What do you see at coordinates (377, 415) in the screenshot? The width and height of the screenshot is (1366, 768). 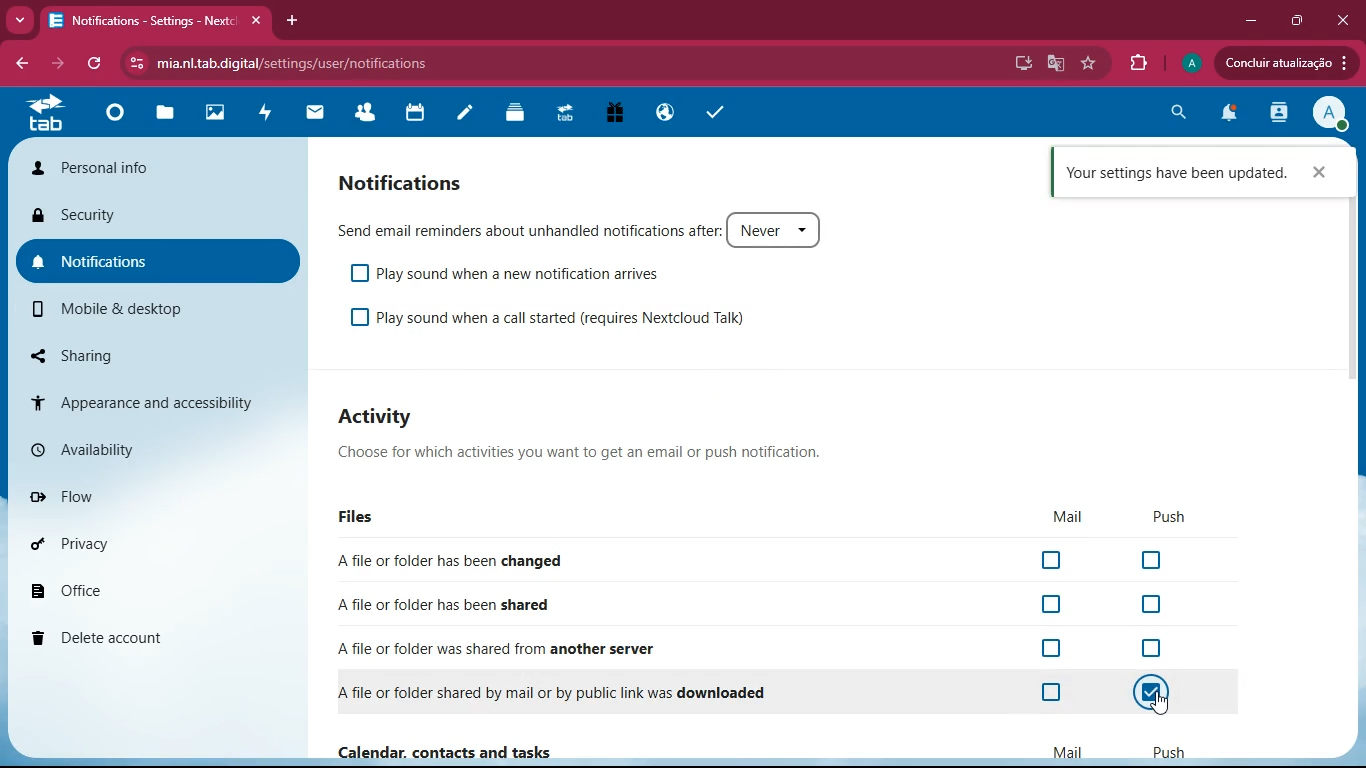 I see `Activity` at bounding box center [377, 415].